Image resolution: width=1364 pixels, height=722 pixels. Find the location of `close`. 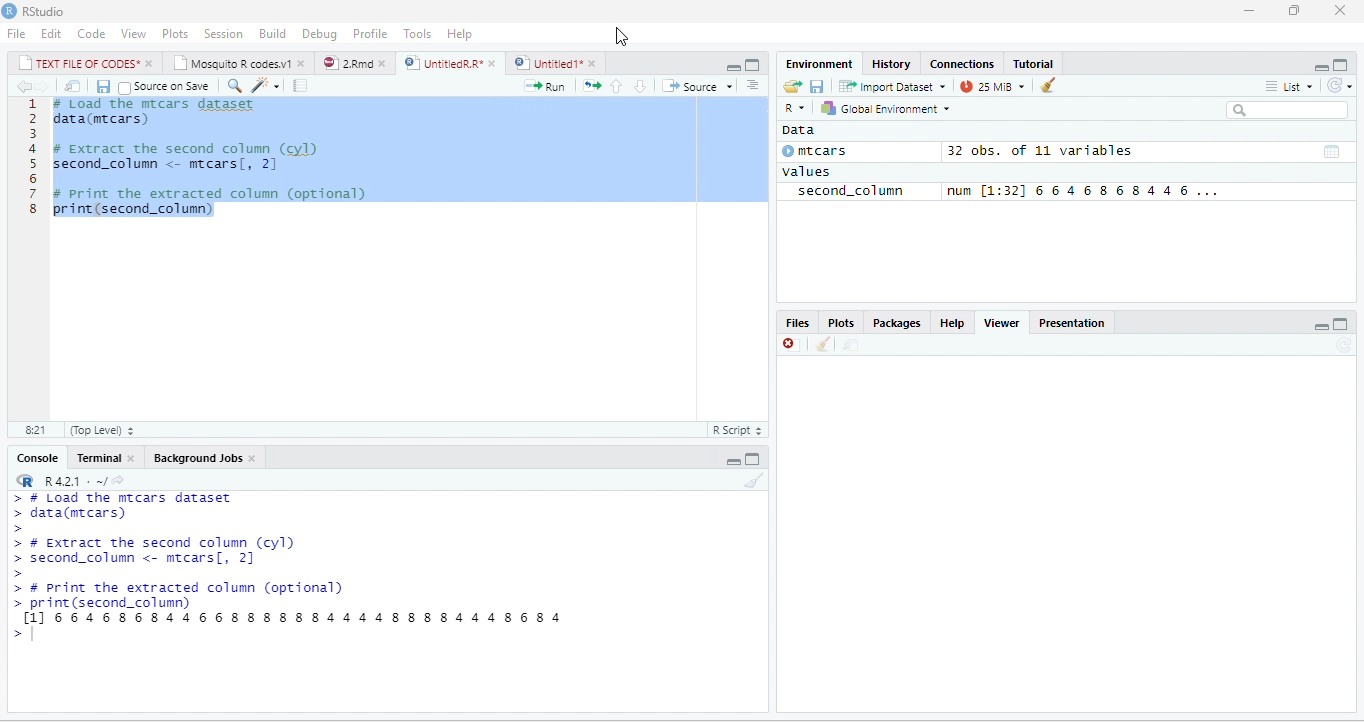

close is located at coordinates (304, 63).